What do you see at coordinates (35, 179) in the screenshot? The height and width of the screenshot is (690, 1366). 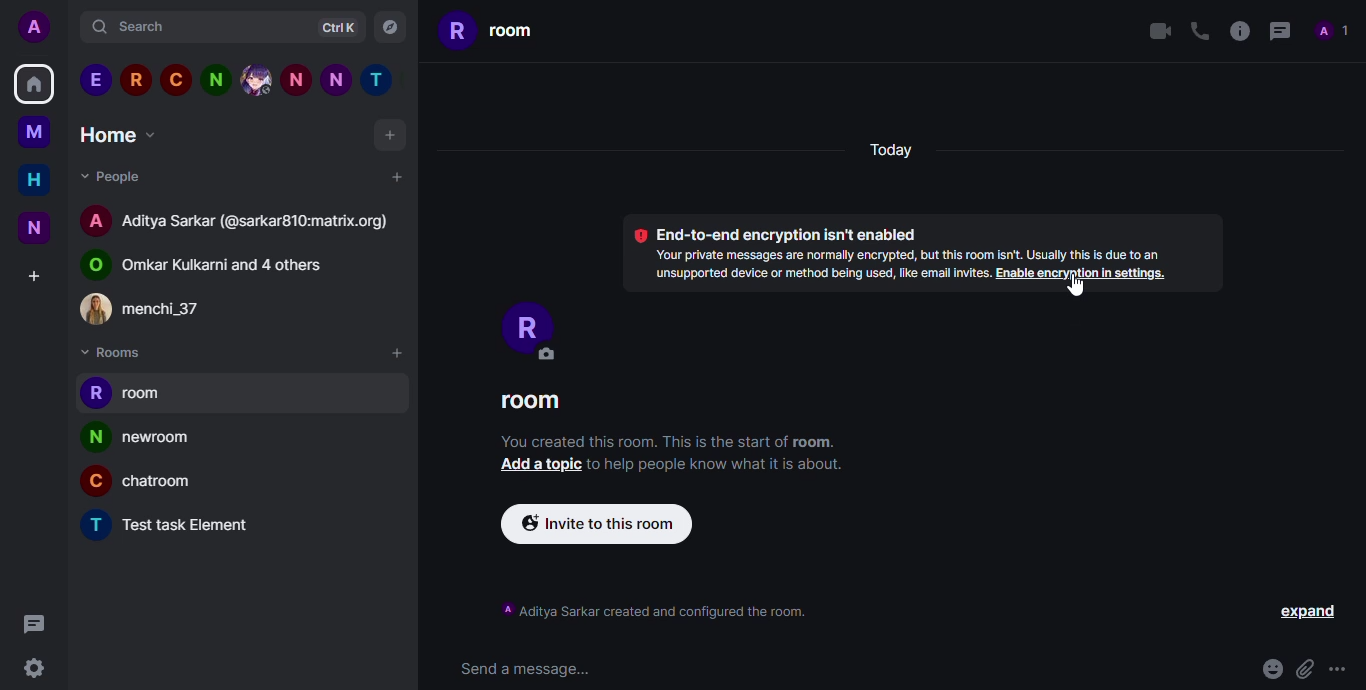 I see `home` at bounding box center [35, 179].